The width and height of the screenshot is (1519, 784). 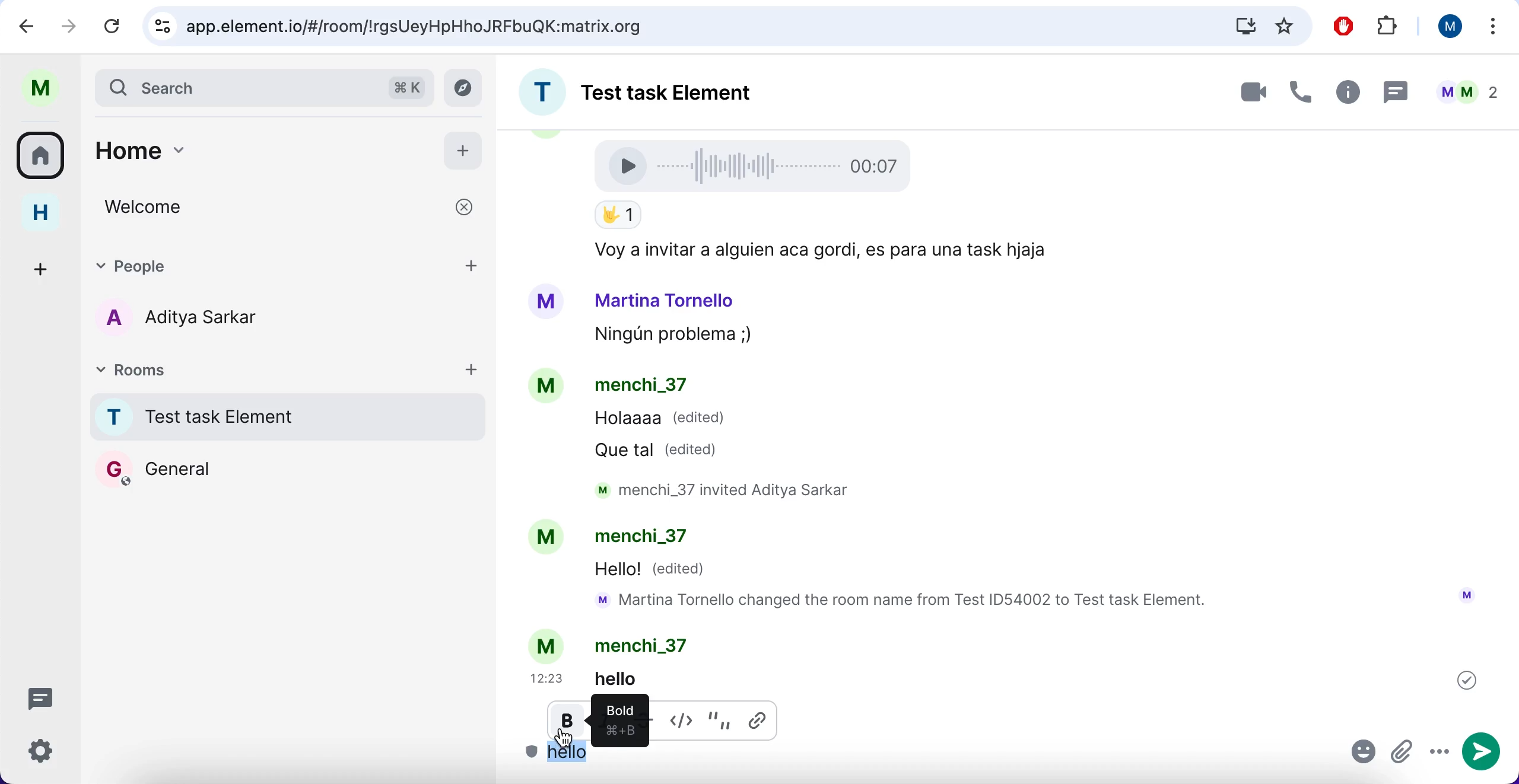 What do you see at coordinates (722, 718) in the screenshot?
I see `quote` at bounding box center [722, 718].